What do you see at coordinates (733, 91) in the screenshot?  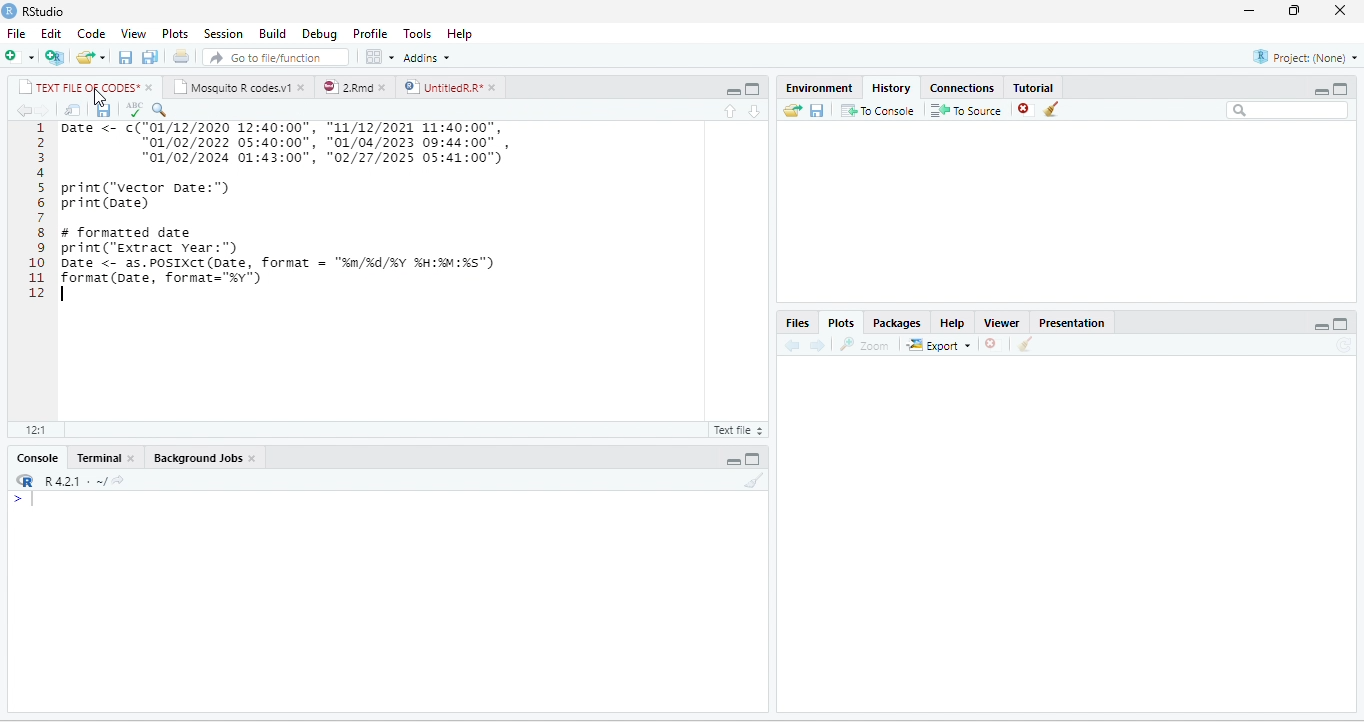 I see `minimize` at bounding box center [733, 91].